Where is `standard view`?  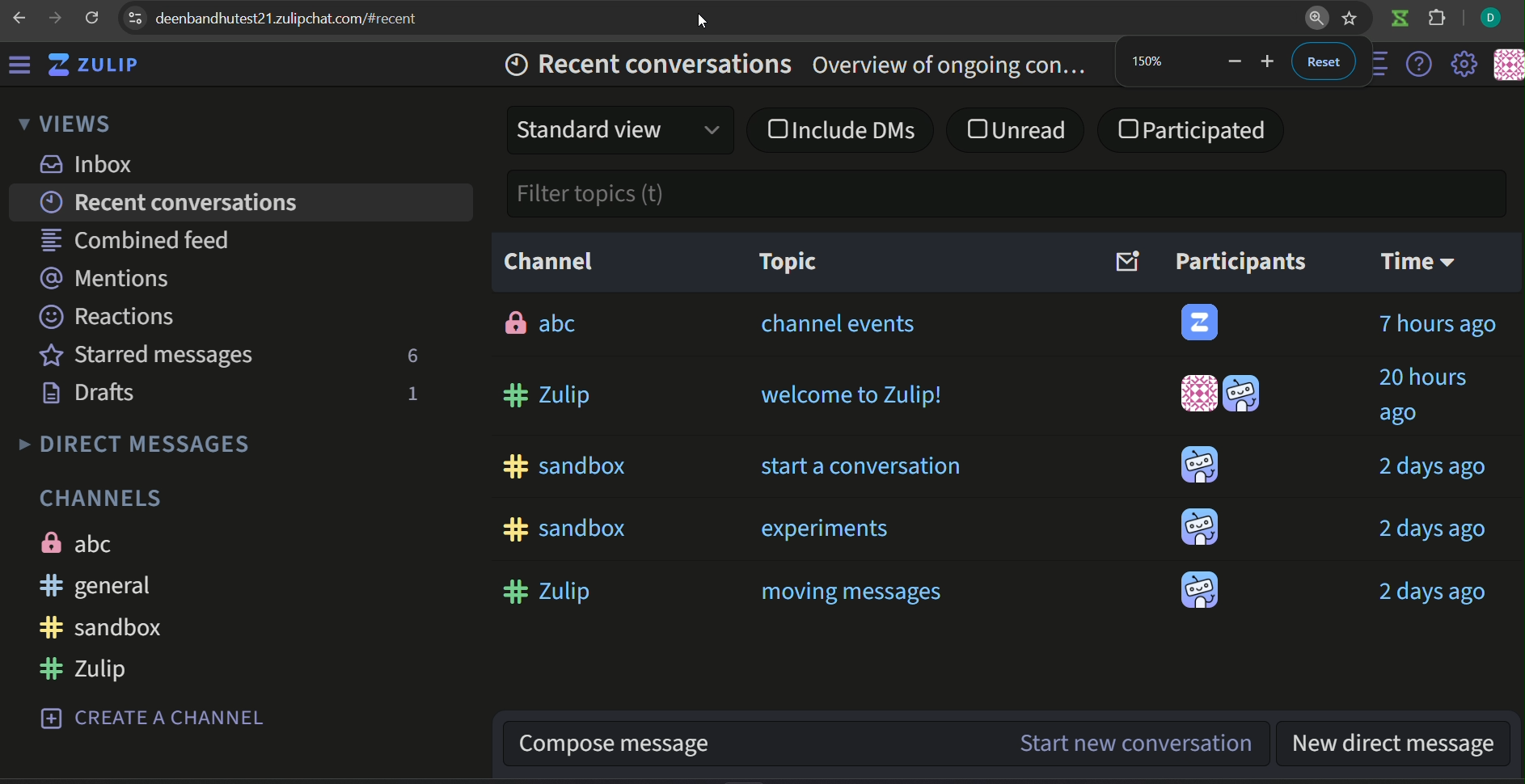
standard view is located at coordinates (624, 127).